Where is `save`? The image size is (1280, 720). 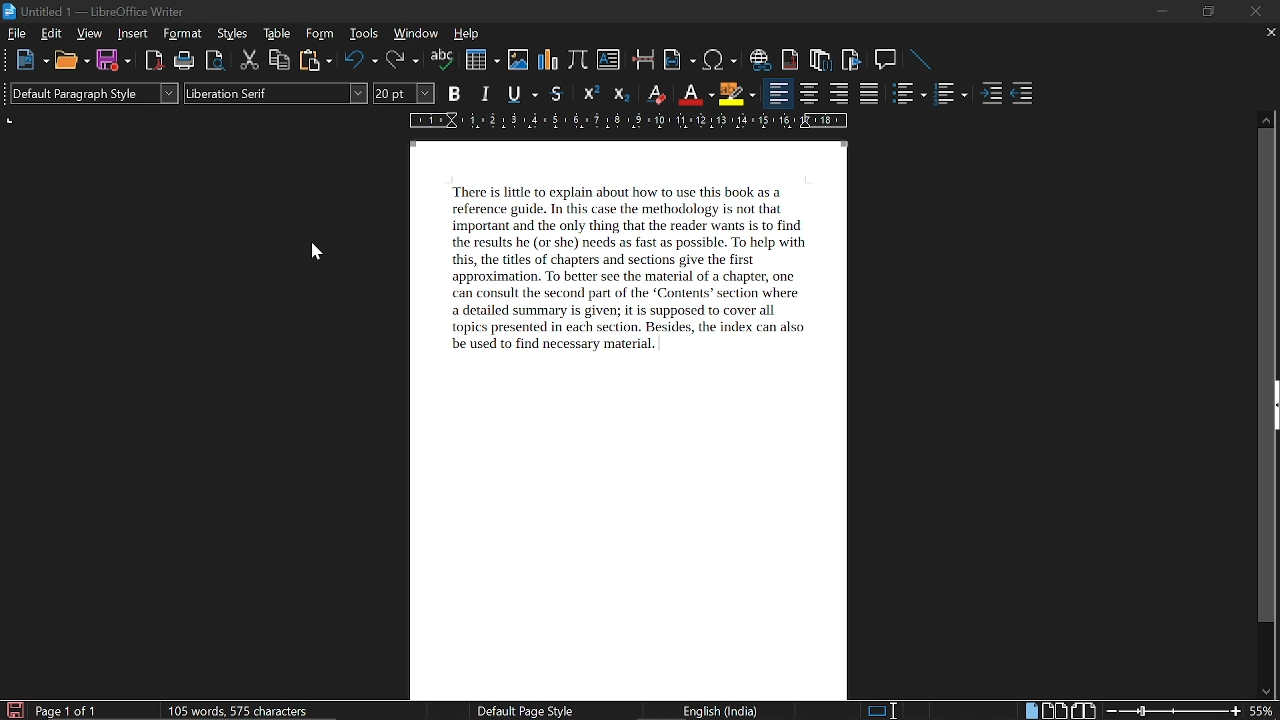 save is located at coordinates (113, 59).